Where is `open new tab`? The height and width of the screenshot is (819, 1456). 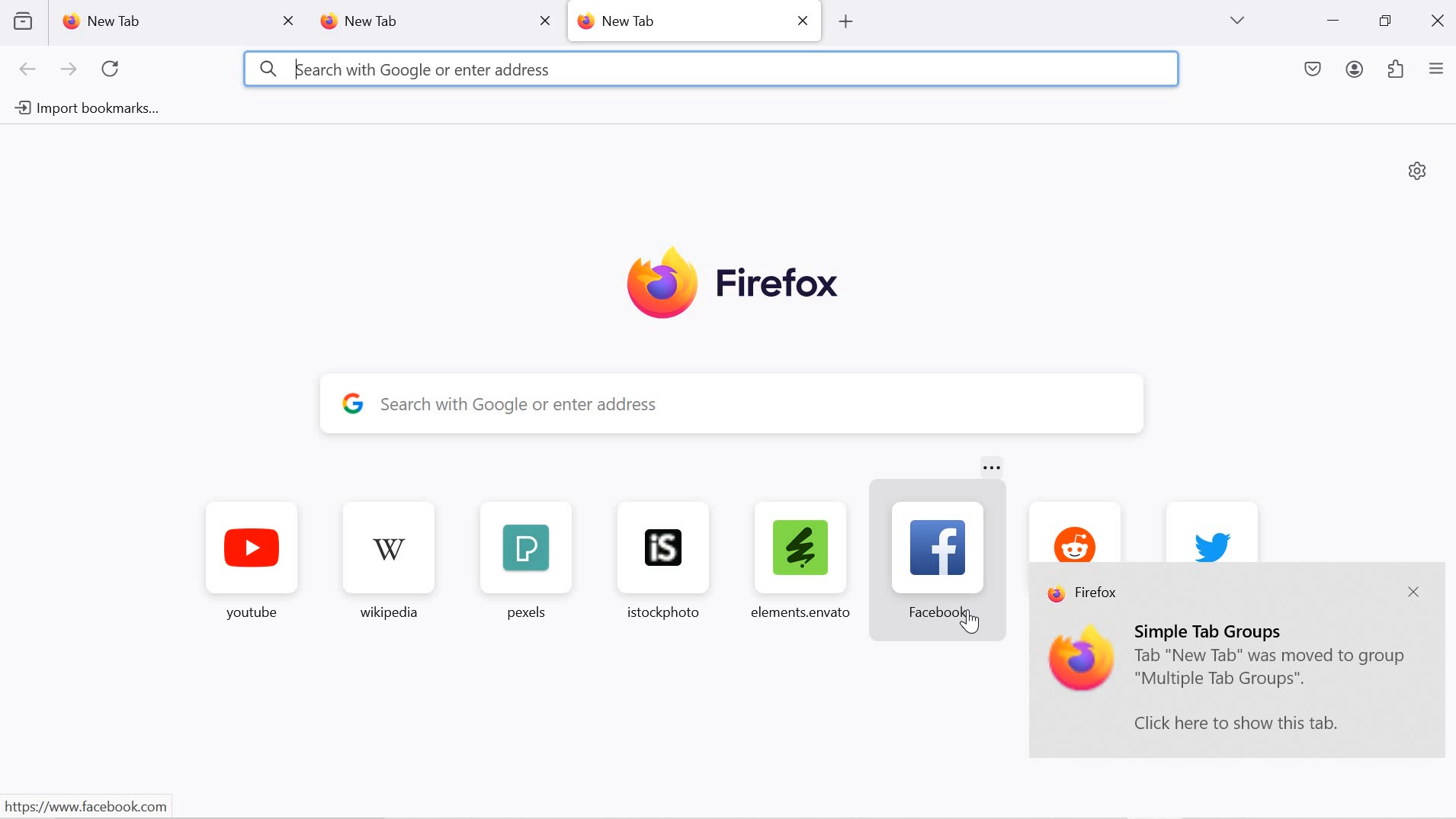 open new tab is located at coordinates (844, 21).